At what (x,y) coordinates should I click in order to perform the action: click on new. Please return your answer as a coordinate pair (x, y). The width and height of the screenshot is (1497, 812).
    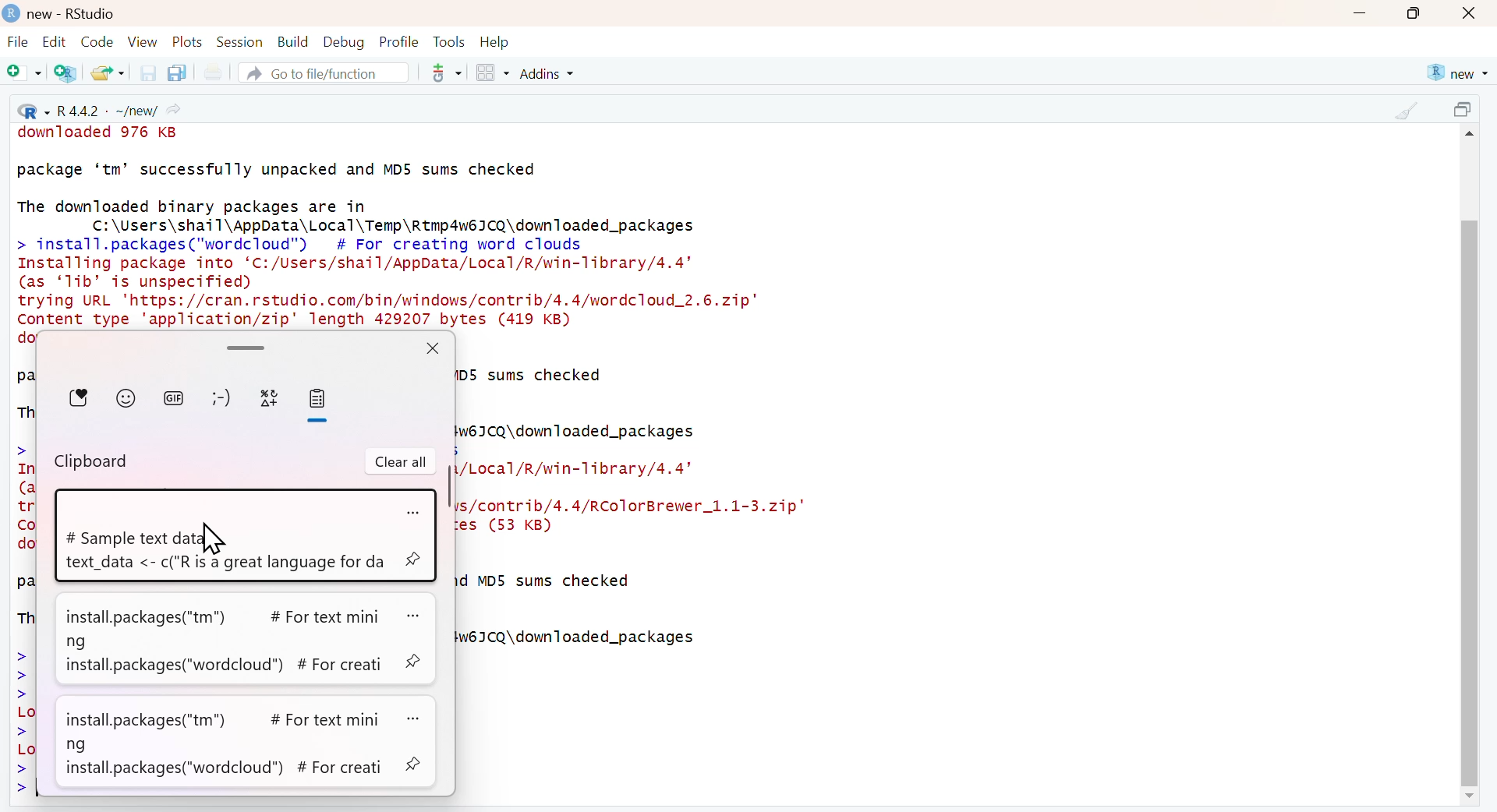
    Looking at the image, I should click on (1456, 72).